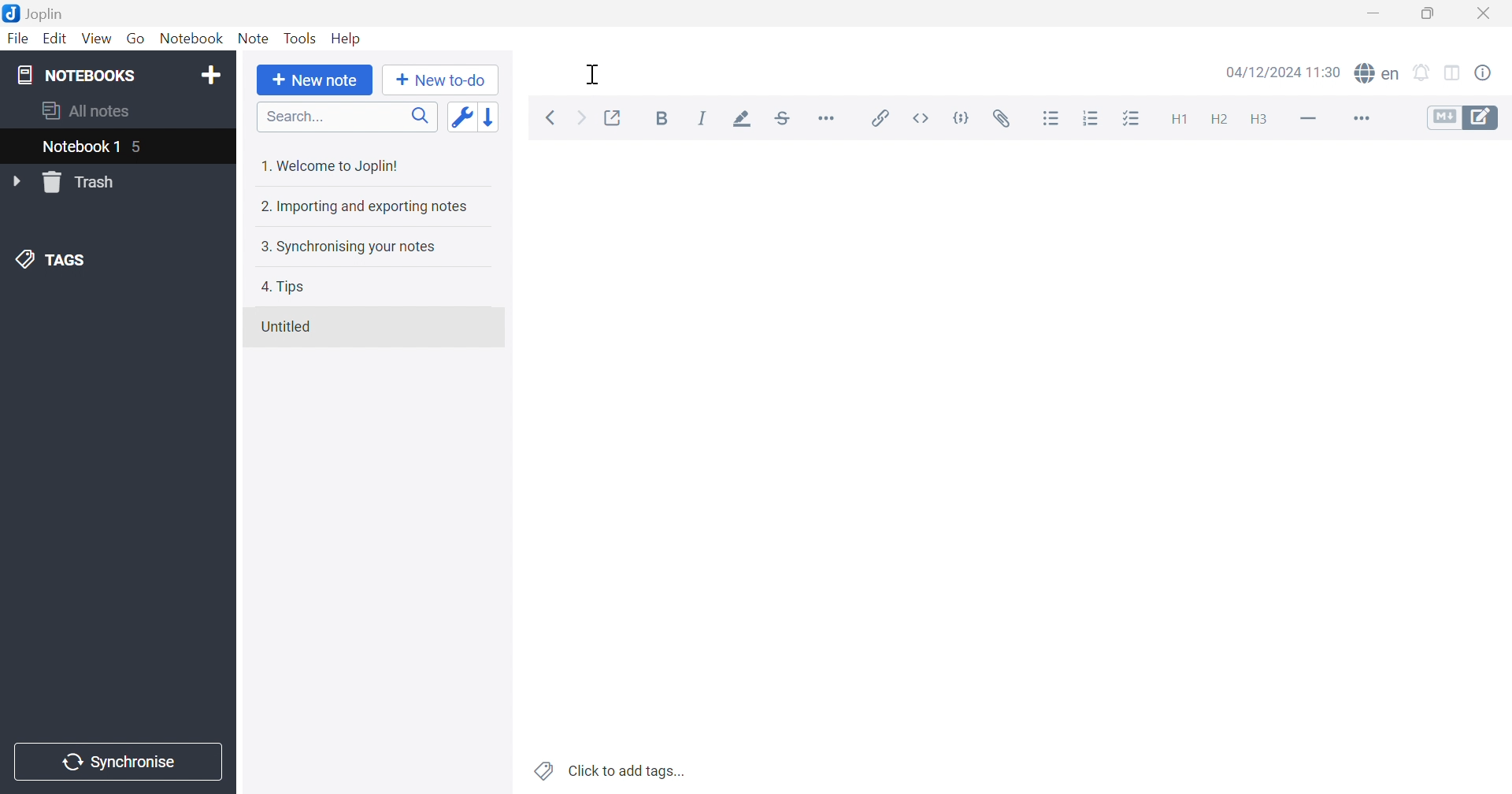 This screenshot has width=1512, height=794. I want to click on 4. Tips, so click(283, 288).